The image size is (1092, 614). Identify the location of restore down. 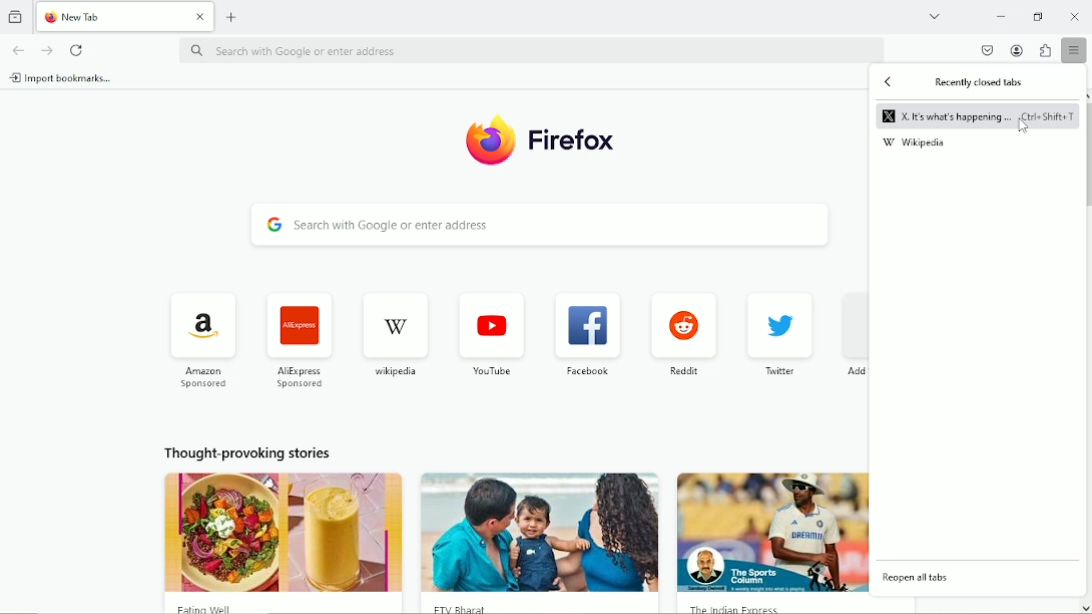
(1037, 18).